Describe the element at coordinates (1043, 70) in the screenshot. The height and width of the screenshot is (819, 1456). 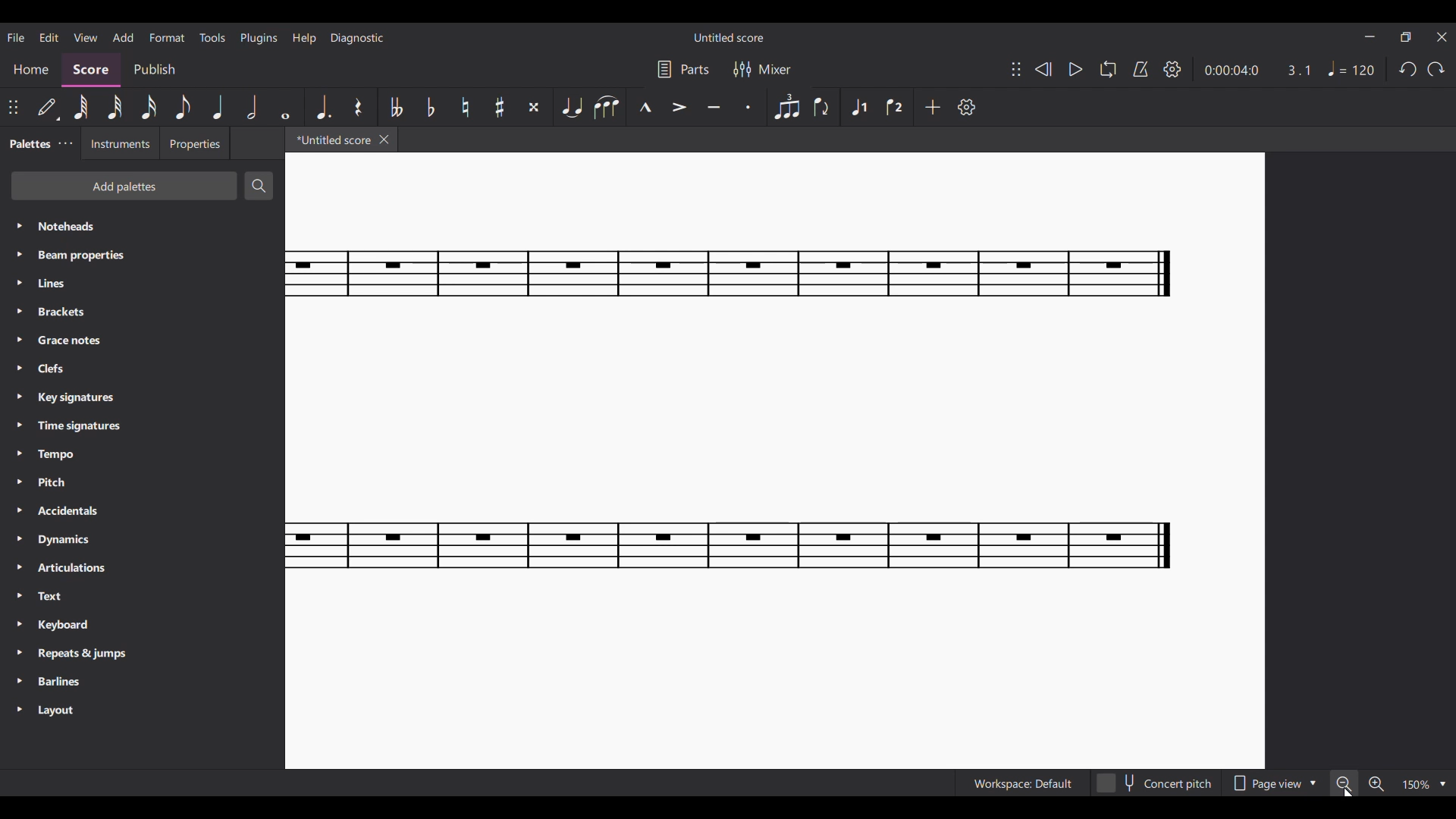
I see `Rewind` at that location.